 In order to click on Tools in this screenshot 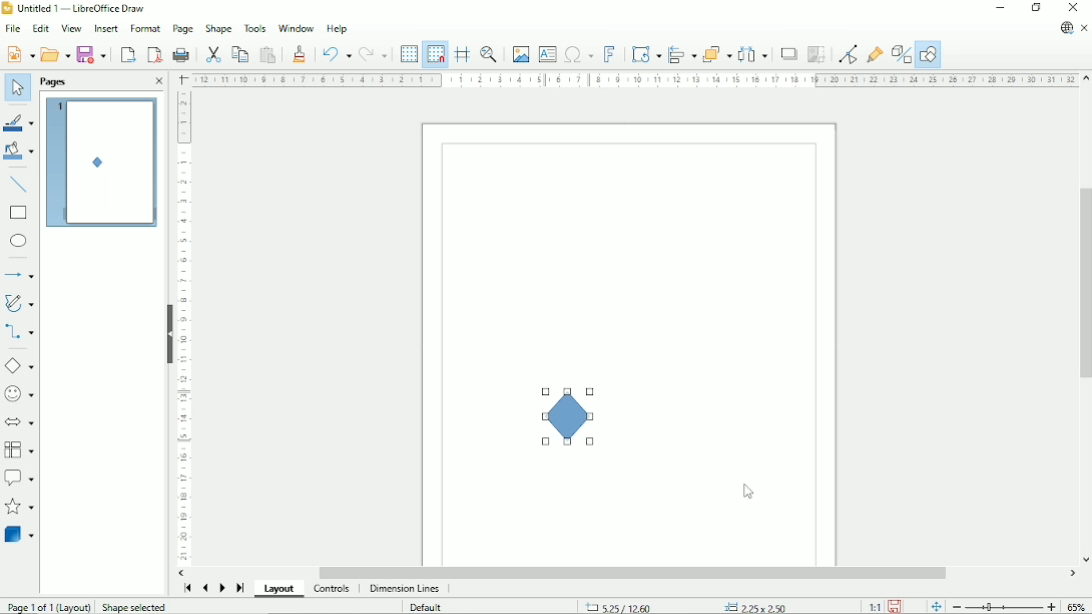, I will do `click(255, 27)`.